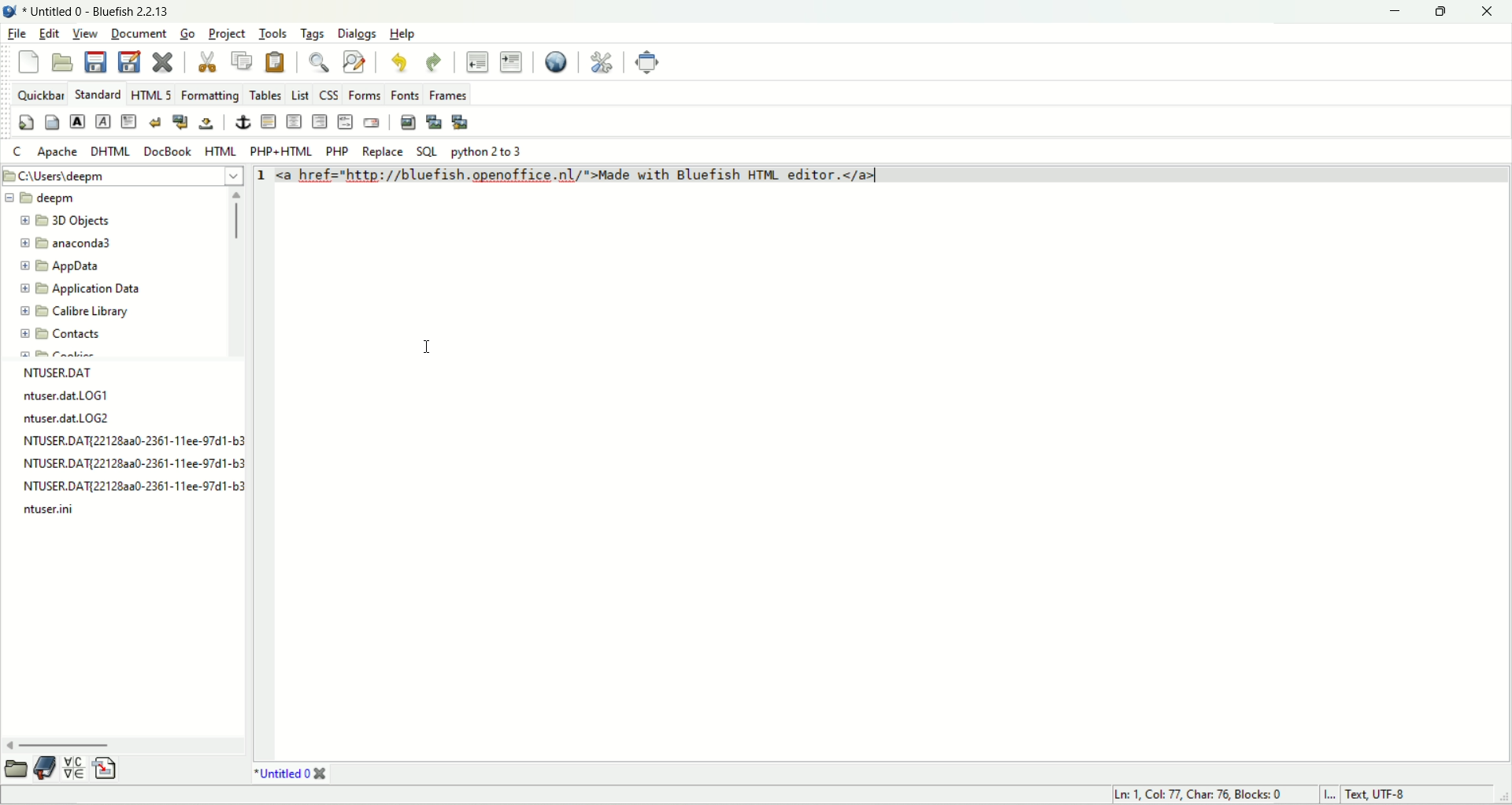 This screenshot has width=1512, height=805. What do you see at coordinates (228, 33) in the screenshot?
I see `project` at bounding box center [228, 33].